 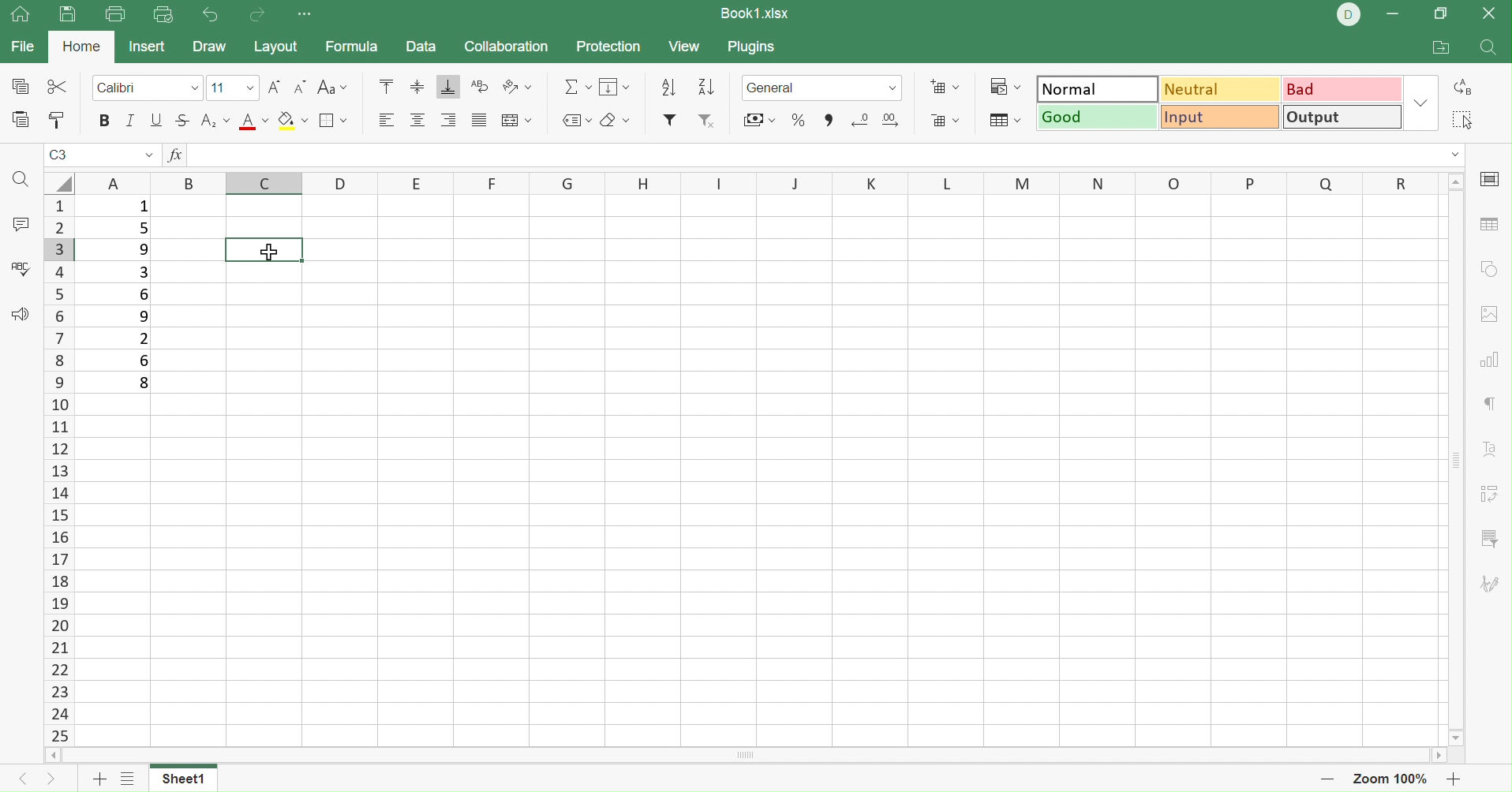 I want to click on Comma, so click(x=827, y=120).